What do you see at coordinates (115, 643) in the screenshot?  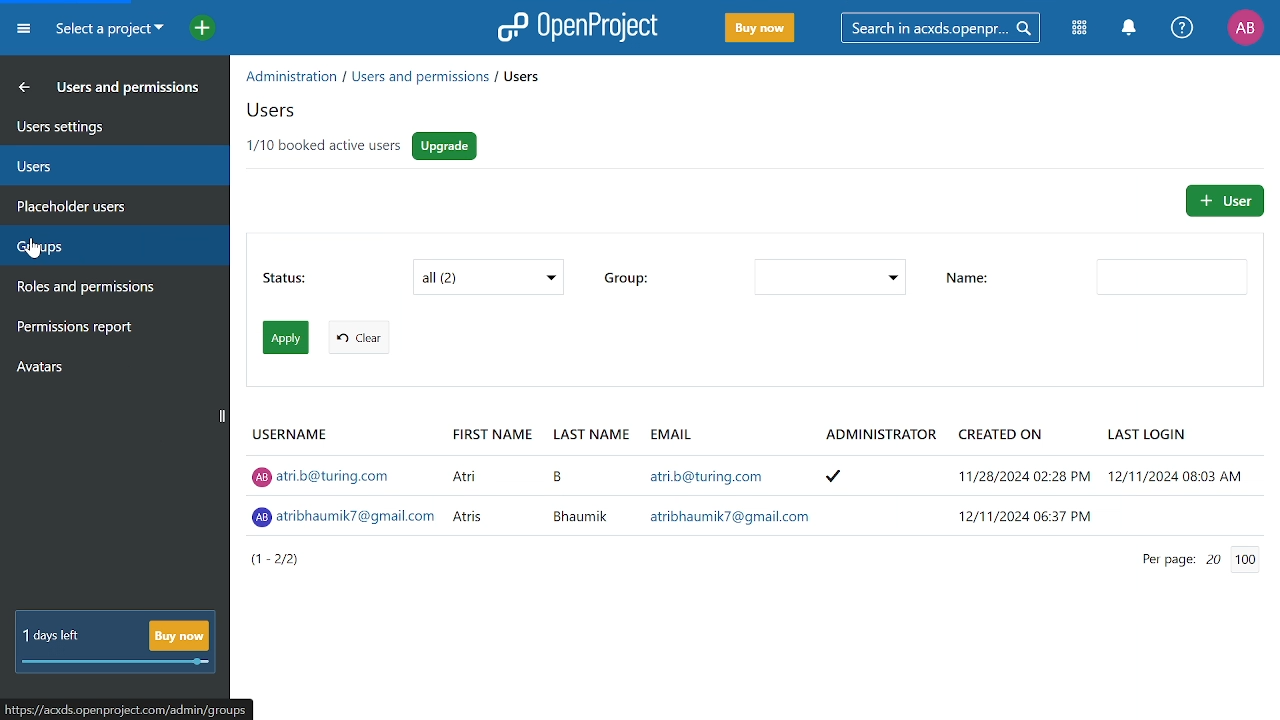 I see `! day left Buy now` at bounding box center [115, 643].